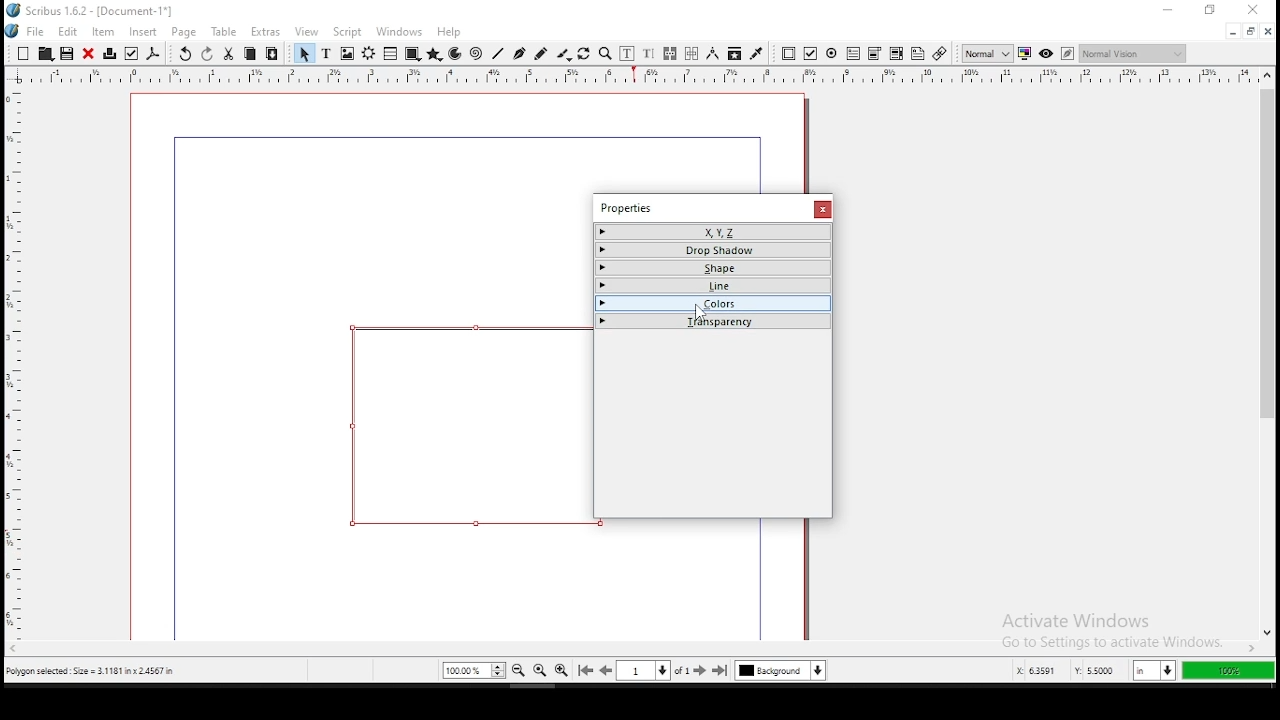 This screenshot has height=720, width=1280. What do you see at coordinates (1232, 33) in the screenshot?
I see `minimize` at bounding box center [1232, 33].